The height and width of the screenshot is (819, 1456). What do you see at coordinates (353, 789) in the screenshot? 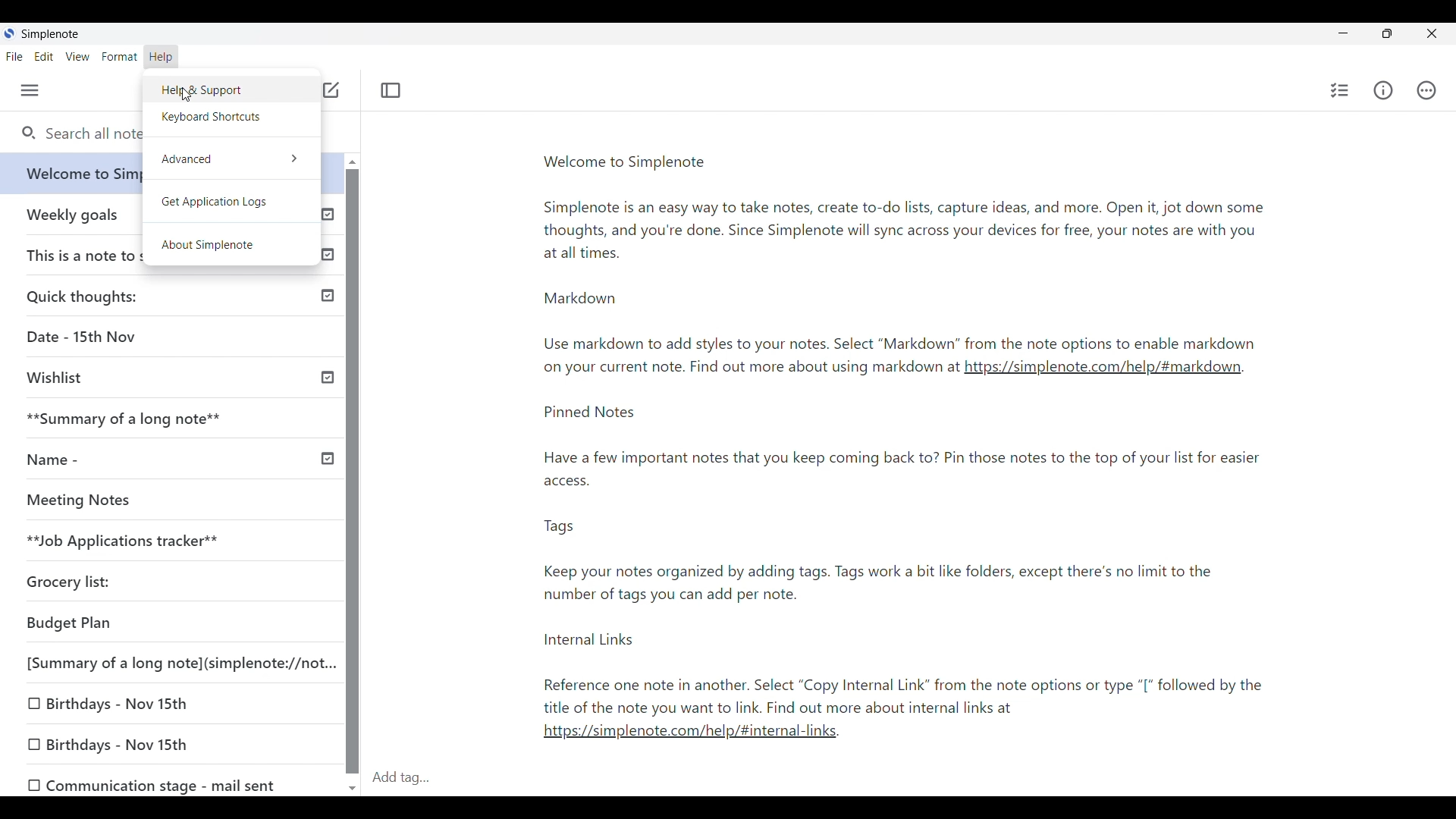
I see `Quick slide to bottom` at bounding box center [353, 789].